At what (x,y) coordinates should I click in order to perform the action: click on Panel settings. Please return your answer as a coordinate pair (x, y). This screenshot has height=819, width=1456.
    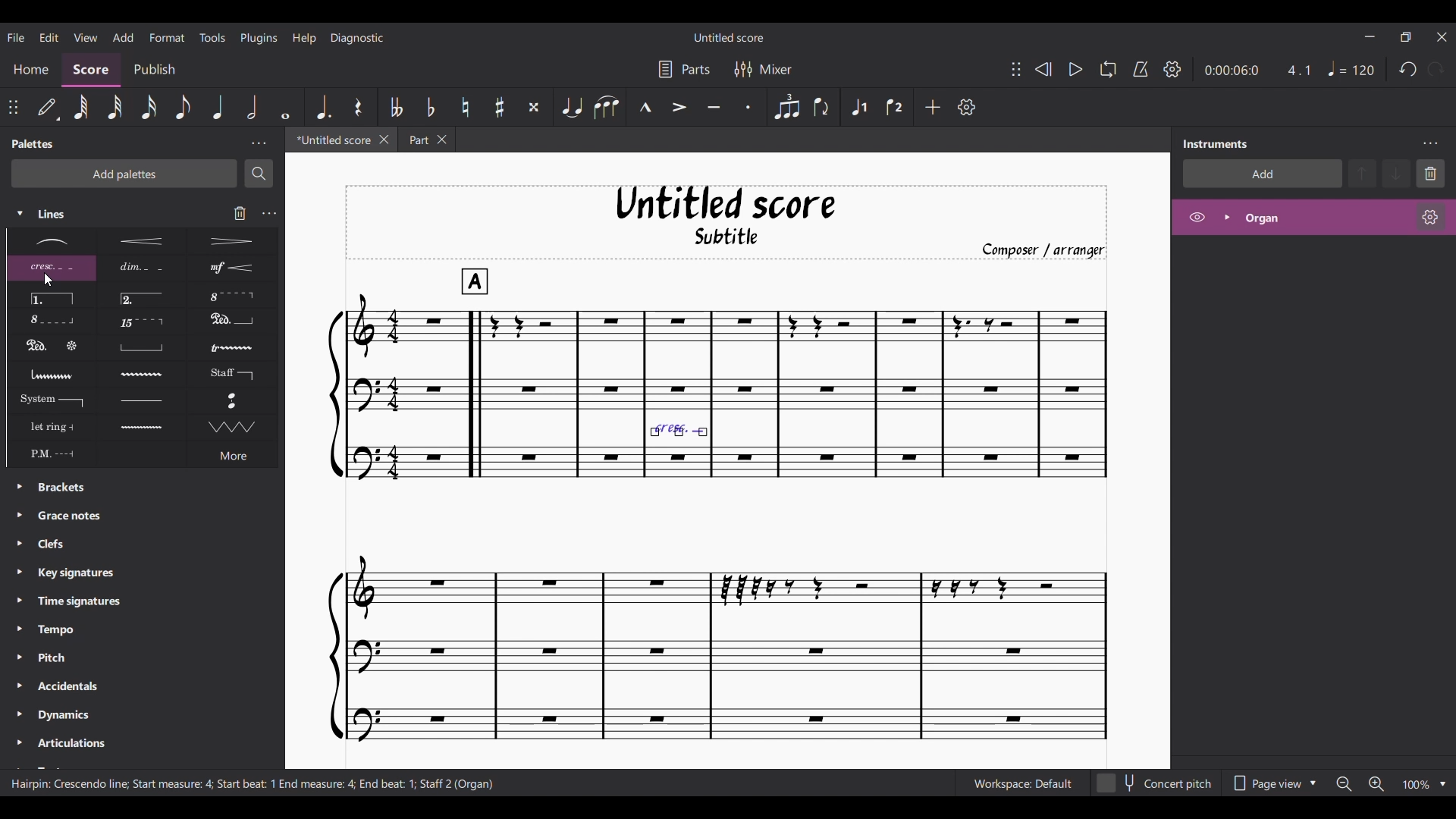
    Looking at the image, I should click on (259, 144).